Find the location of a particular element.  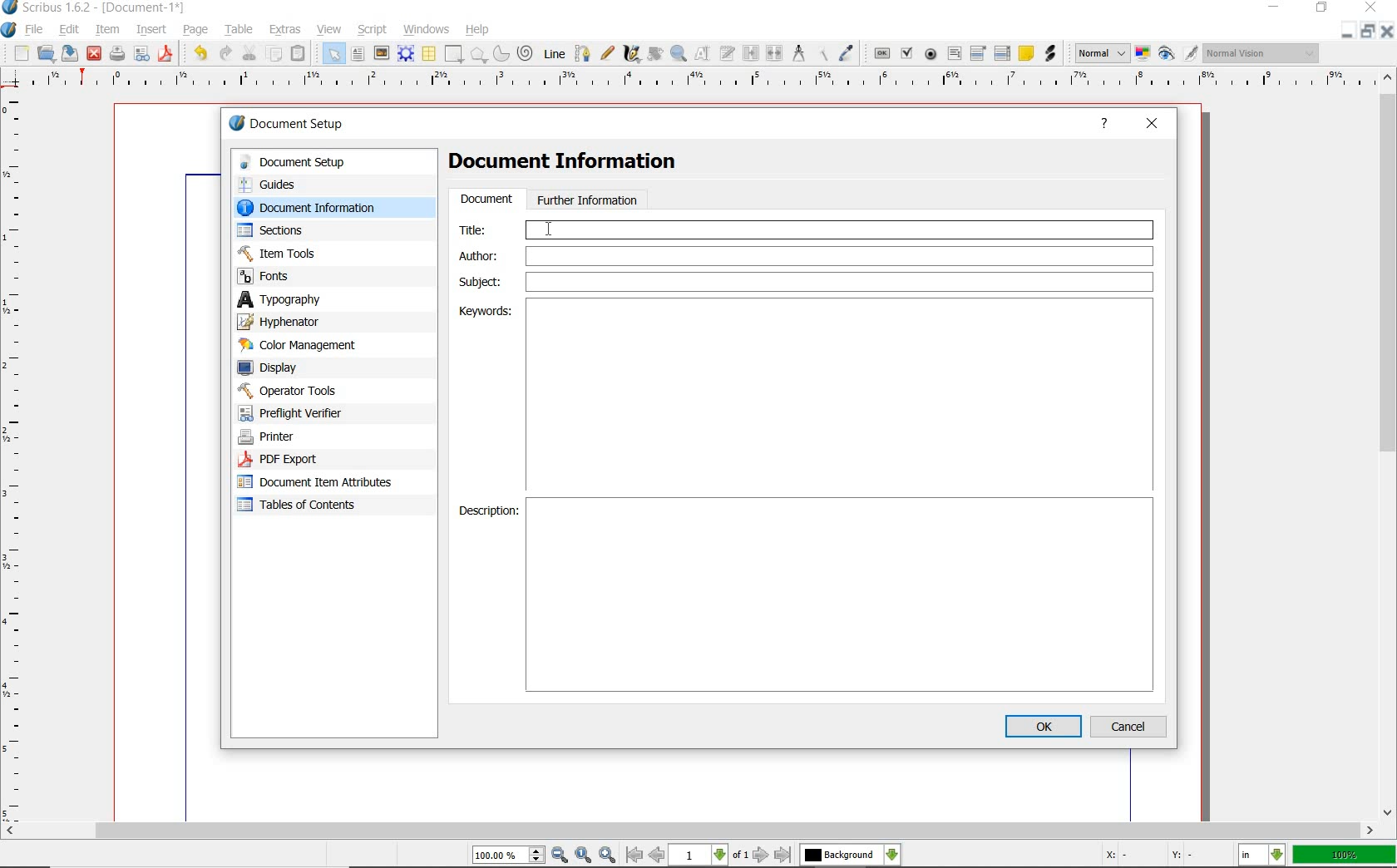

table is located at coordinates (239, 29).